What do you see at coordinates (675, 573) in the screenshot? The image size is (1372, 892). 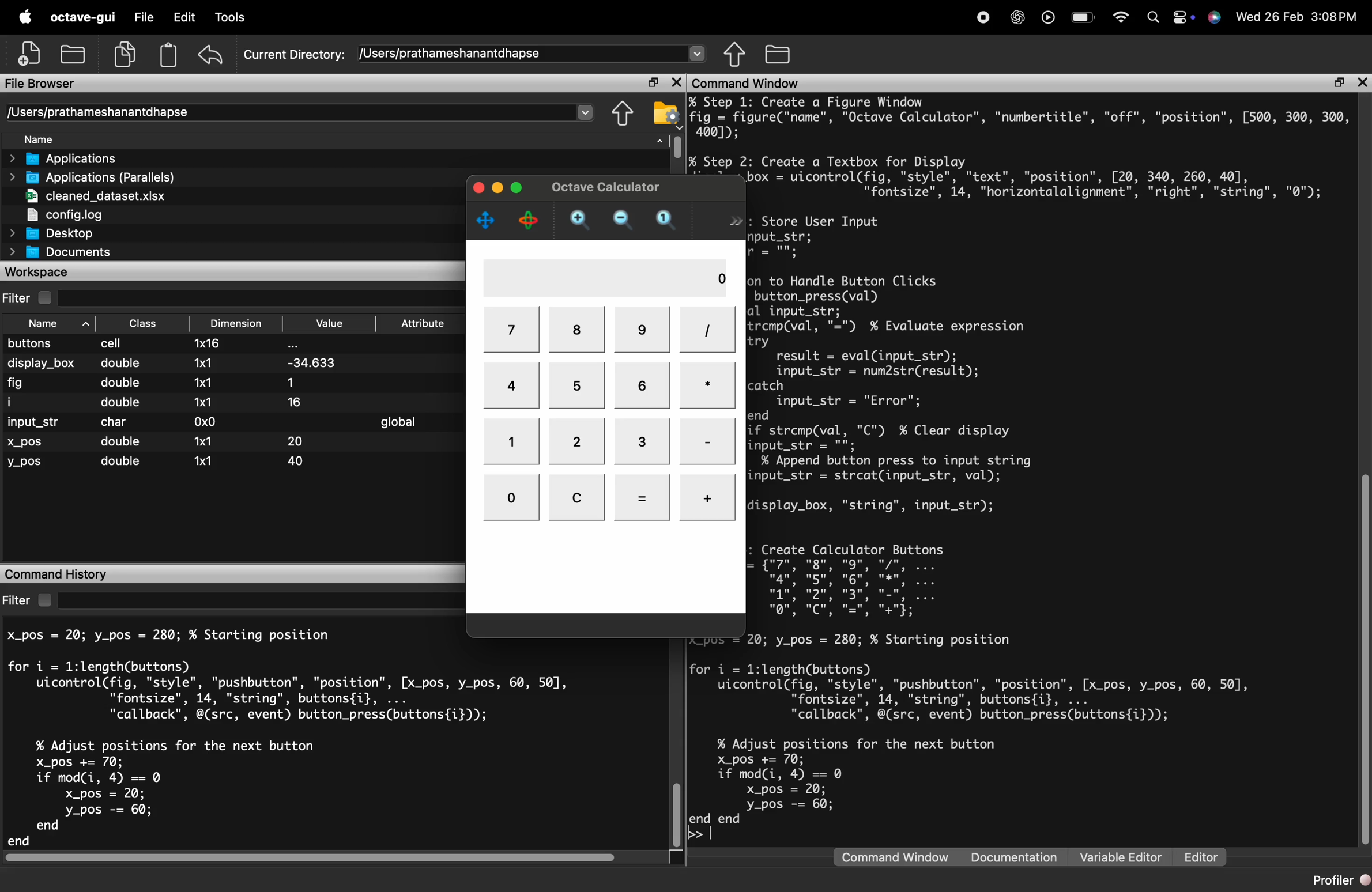 I see `maximize` at bounding box center [675, 573].